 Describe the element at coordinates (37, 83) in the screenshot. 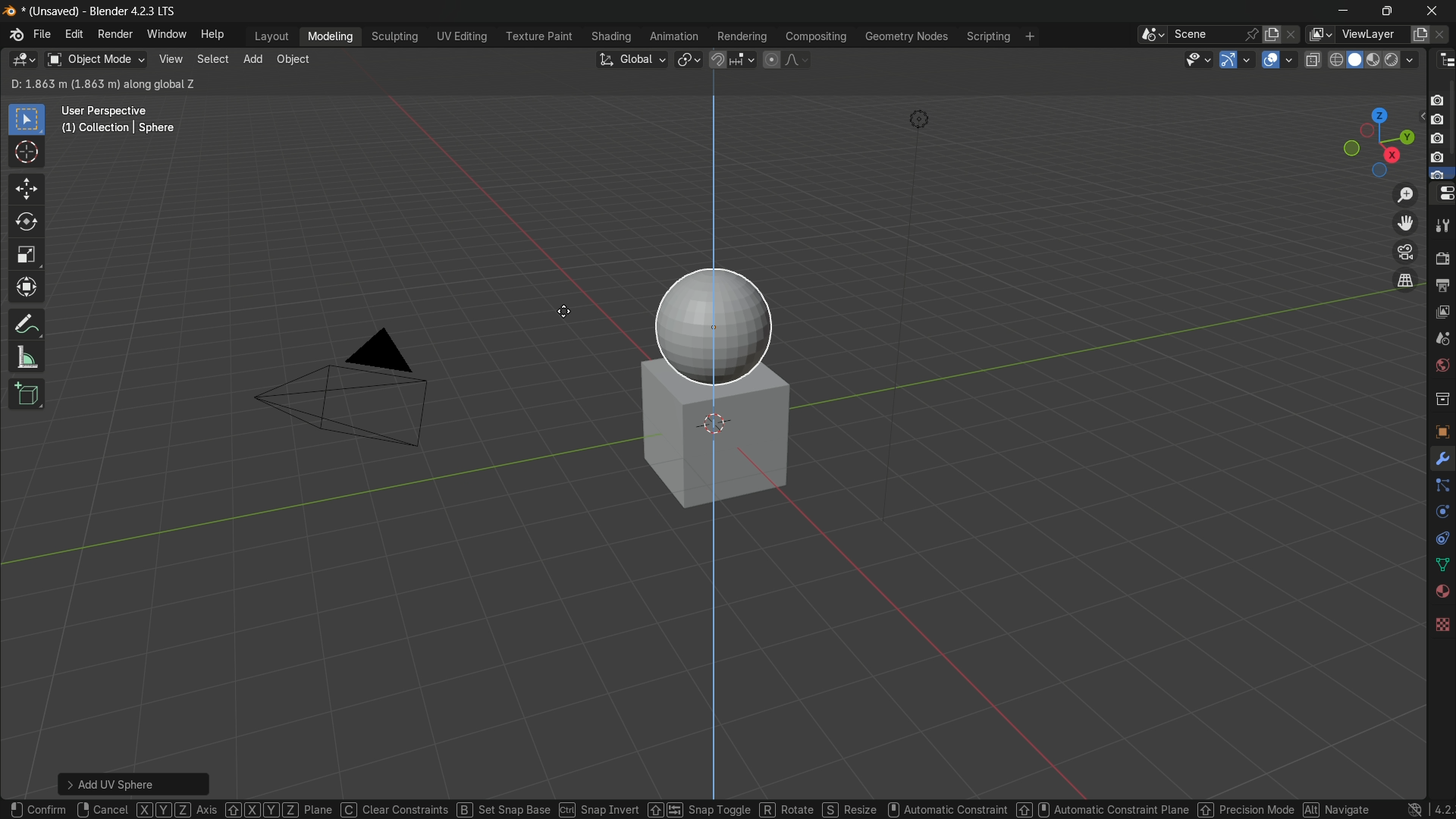

I see `extend existing selection` at that location.